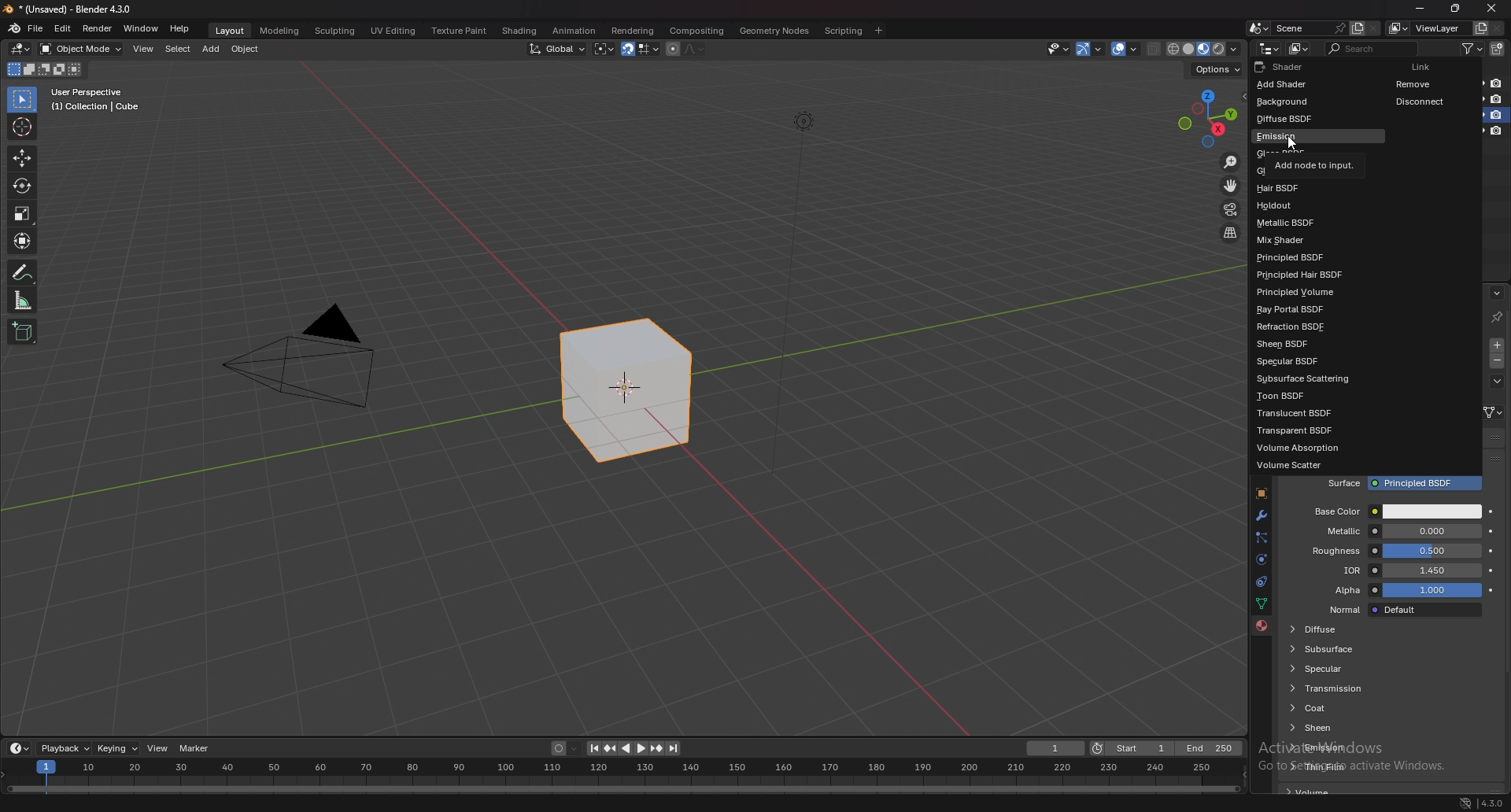 This screenshot has width=1511, height=812. I want to click on animate property, so click(1491, 589).